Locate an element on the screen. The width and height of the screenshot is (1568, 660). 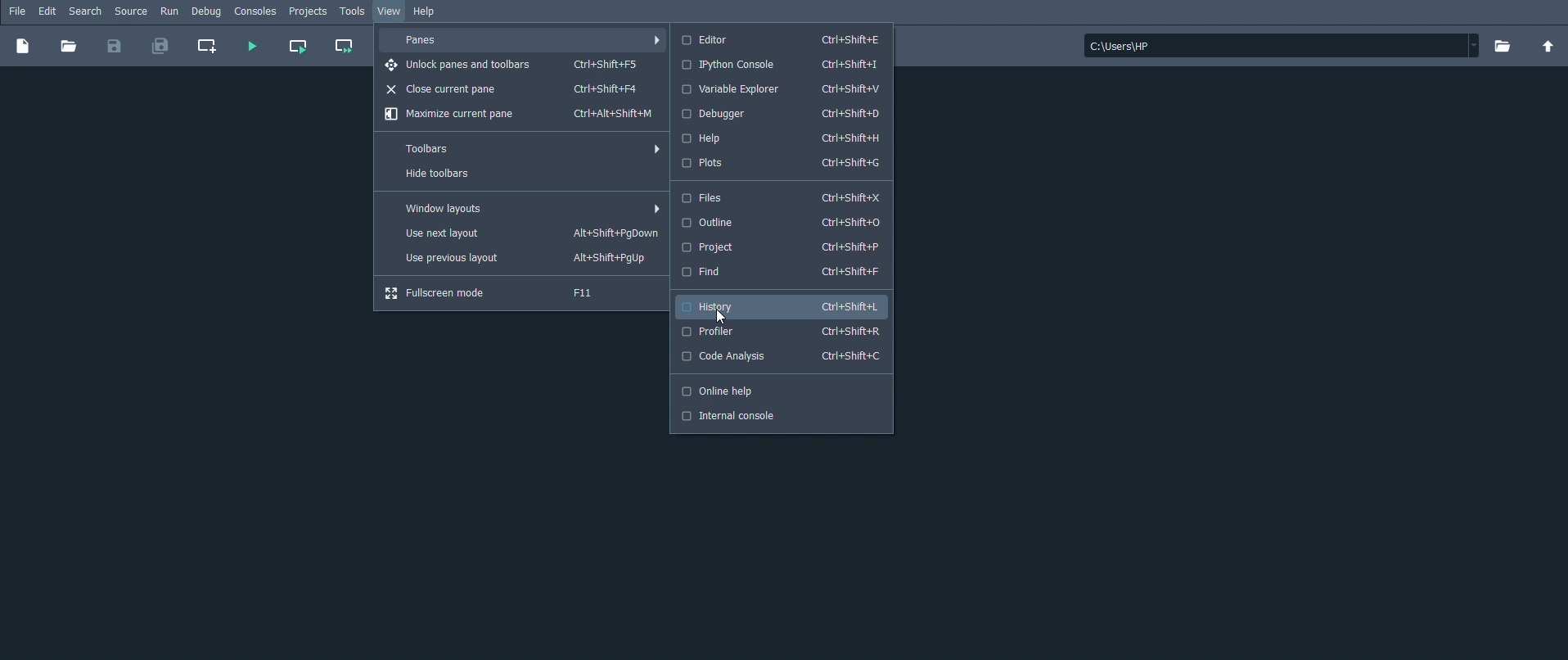
File location is located at coordinates (1282, 45).